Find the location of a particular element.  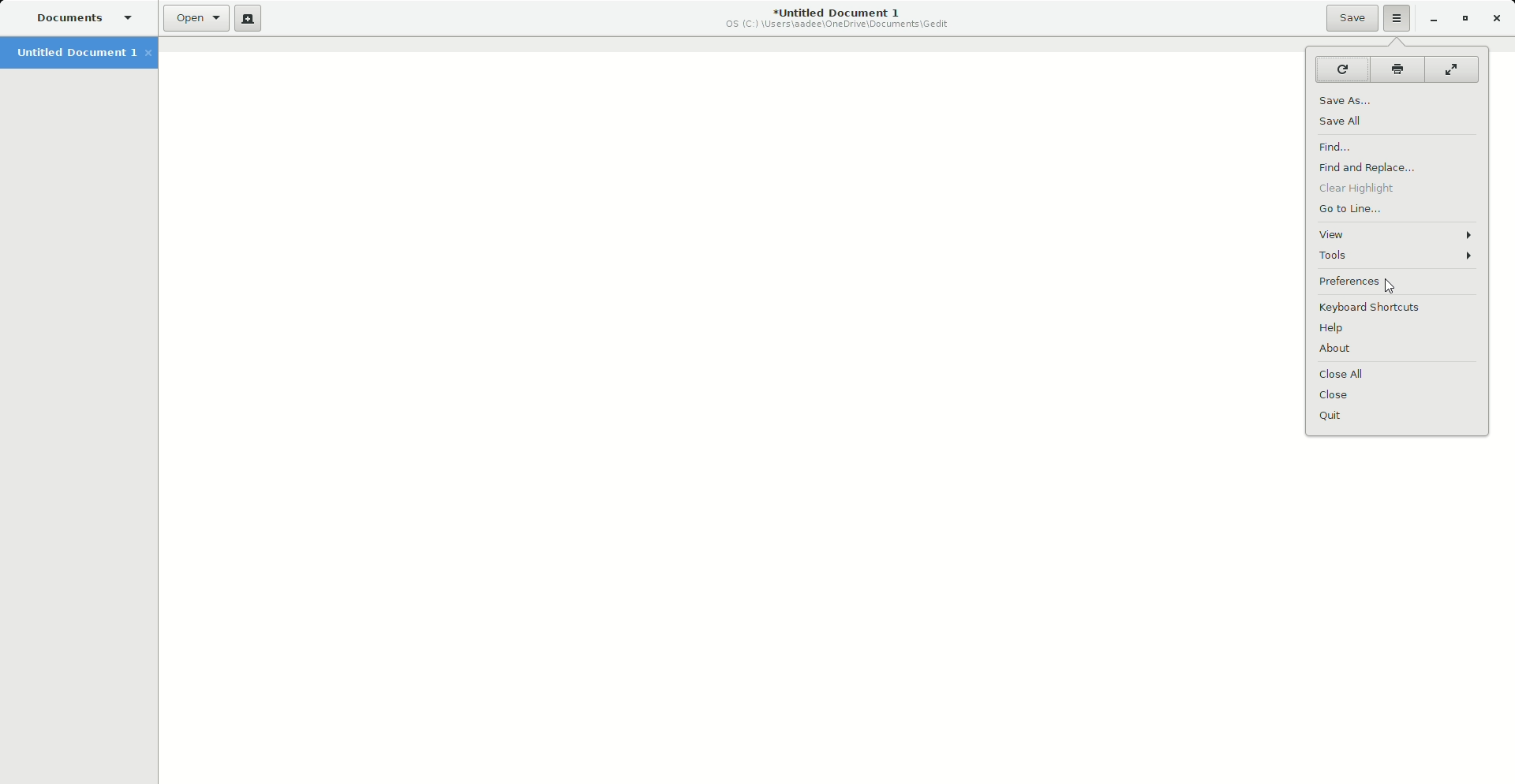

VIew is located at coordinates (1397, 233).